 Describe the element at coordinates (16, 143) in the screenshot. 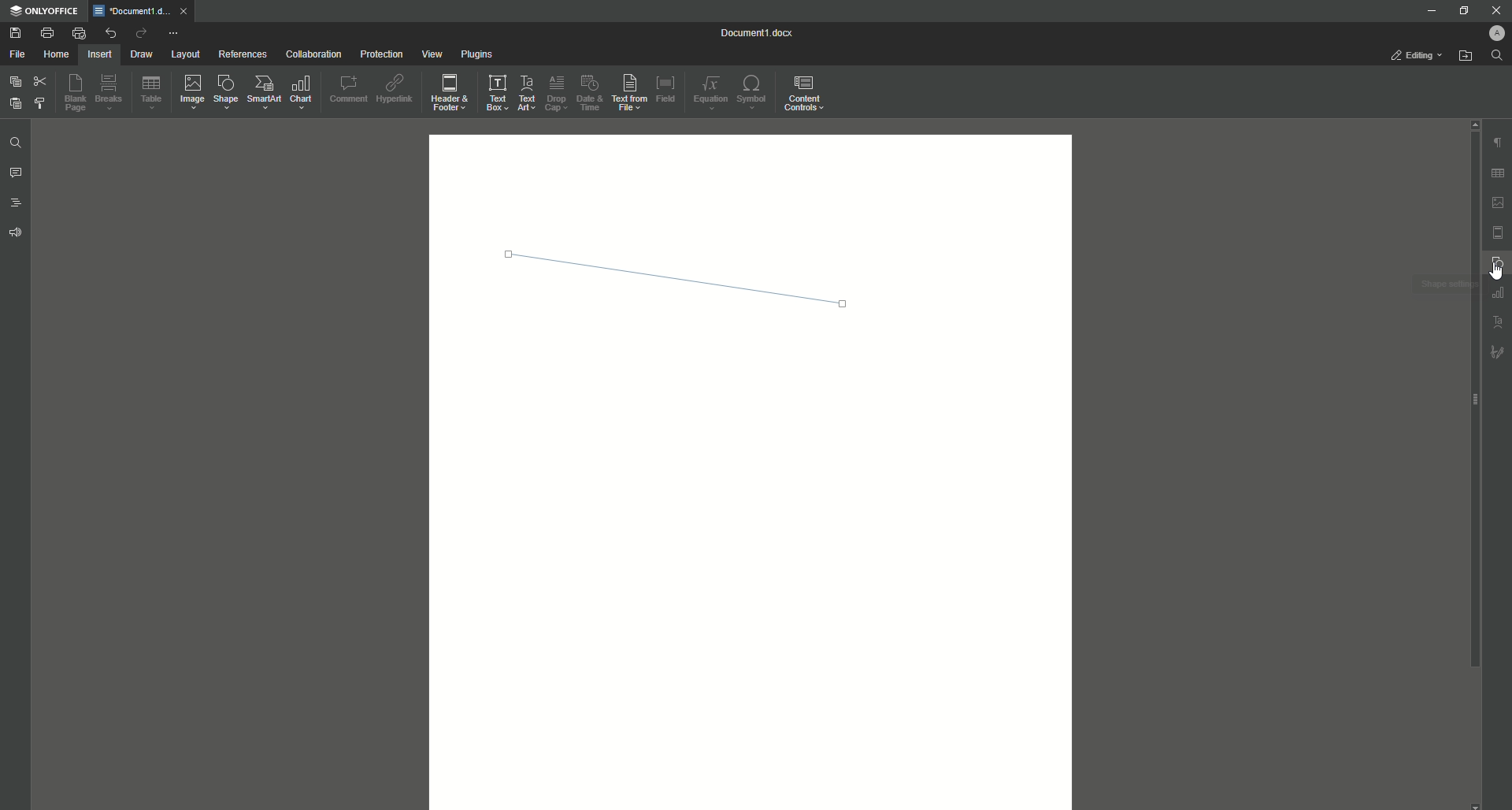

I see `Find` at that location.